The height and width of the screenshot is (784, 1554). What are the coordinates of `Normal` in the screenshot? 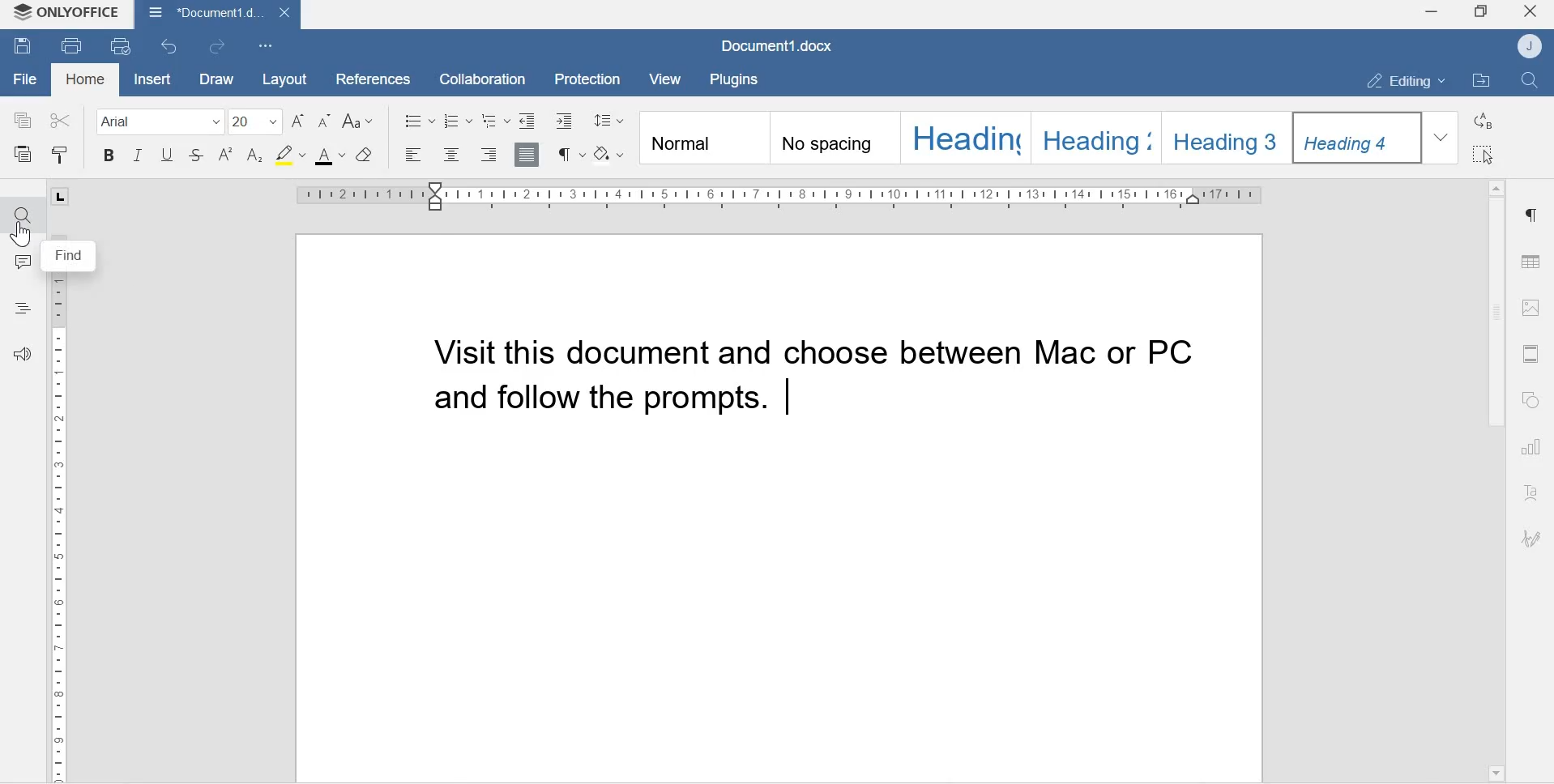 It's located at (702, 139).